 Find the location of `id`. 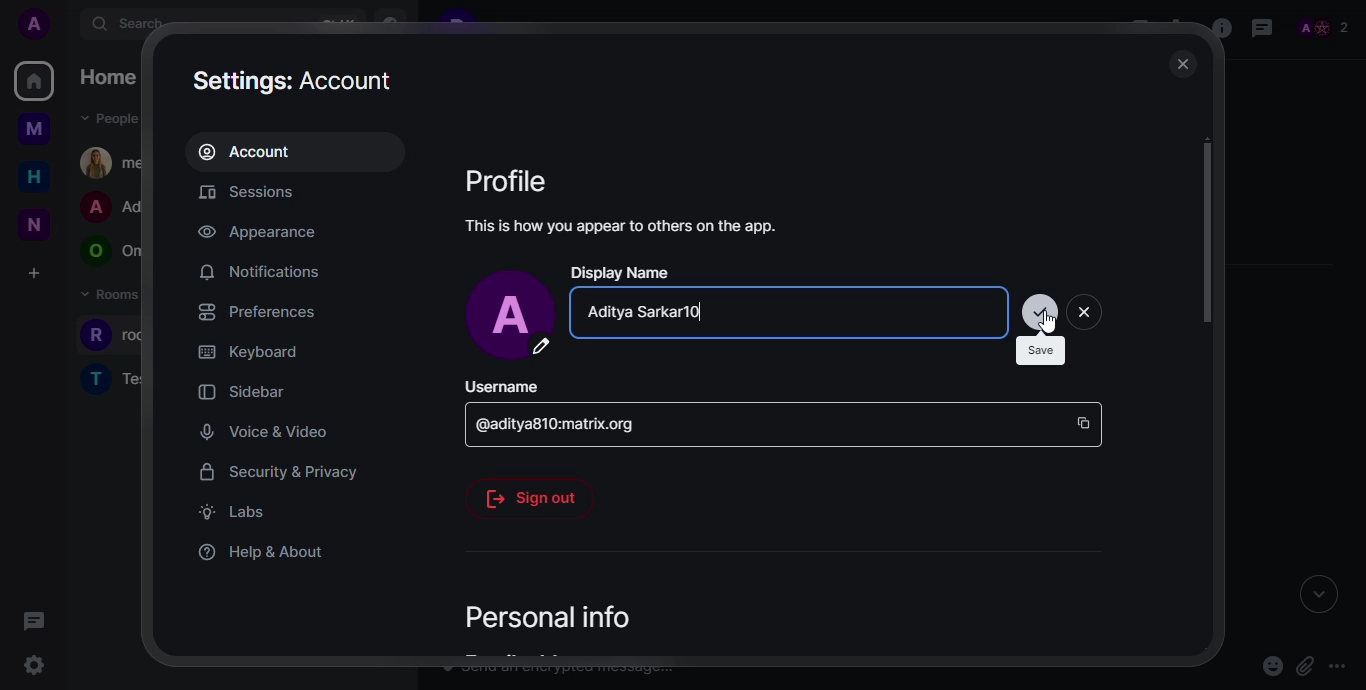

id is located at coordinates (565, 426).